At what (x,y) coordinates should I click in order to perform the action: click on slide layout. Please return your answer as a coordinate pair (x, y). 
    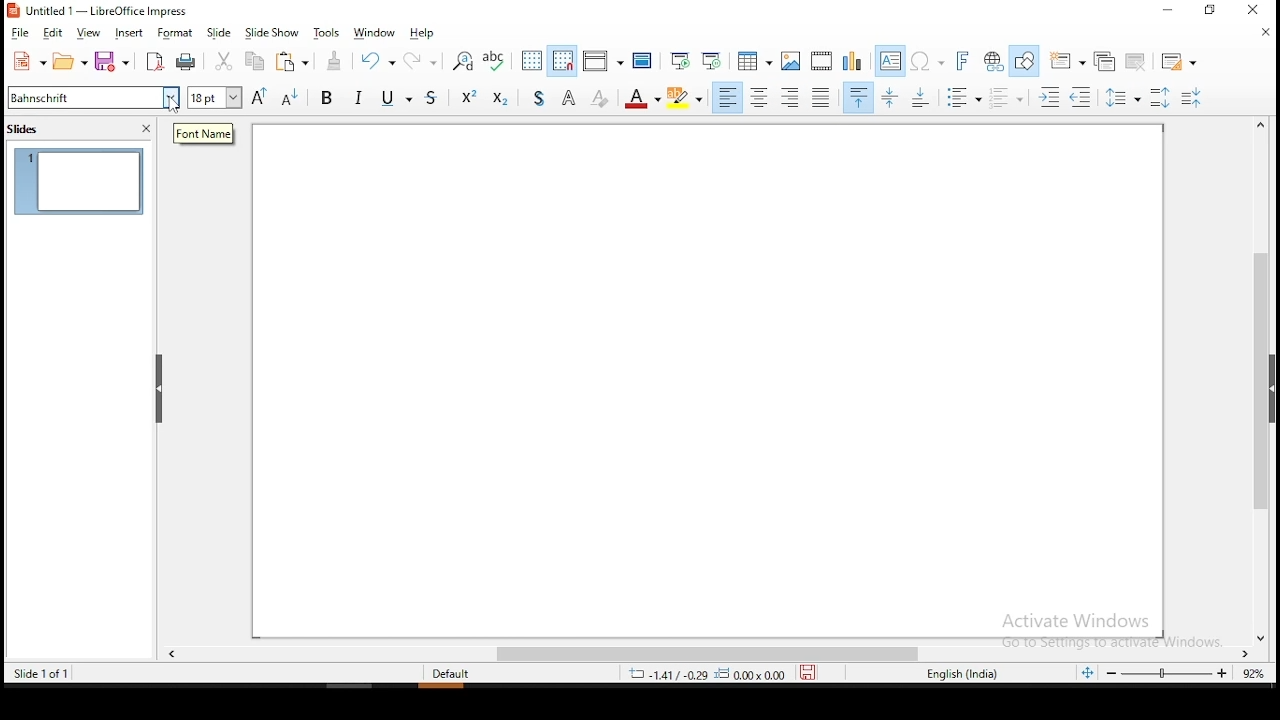
    Looking at the image, I should click on (1181, 57).